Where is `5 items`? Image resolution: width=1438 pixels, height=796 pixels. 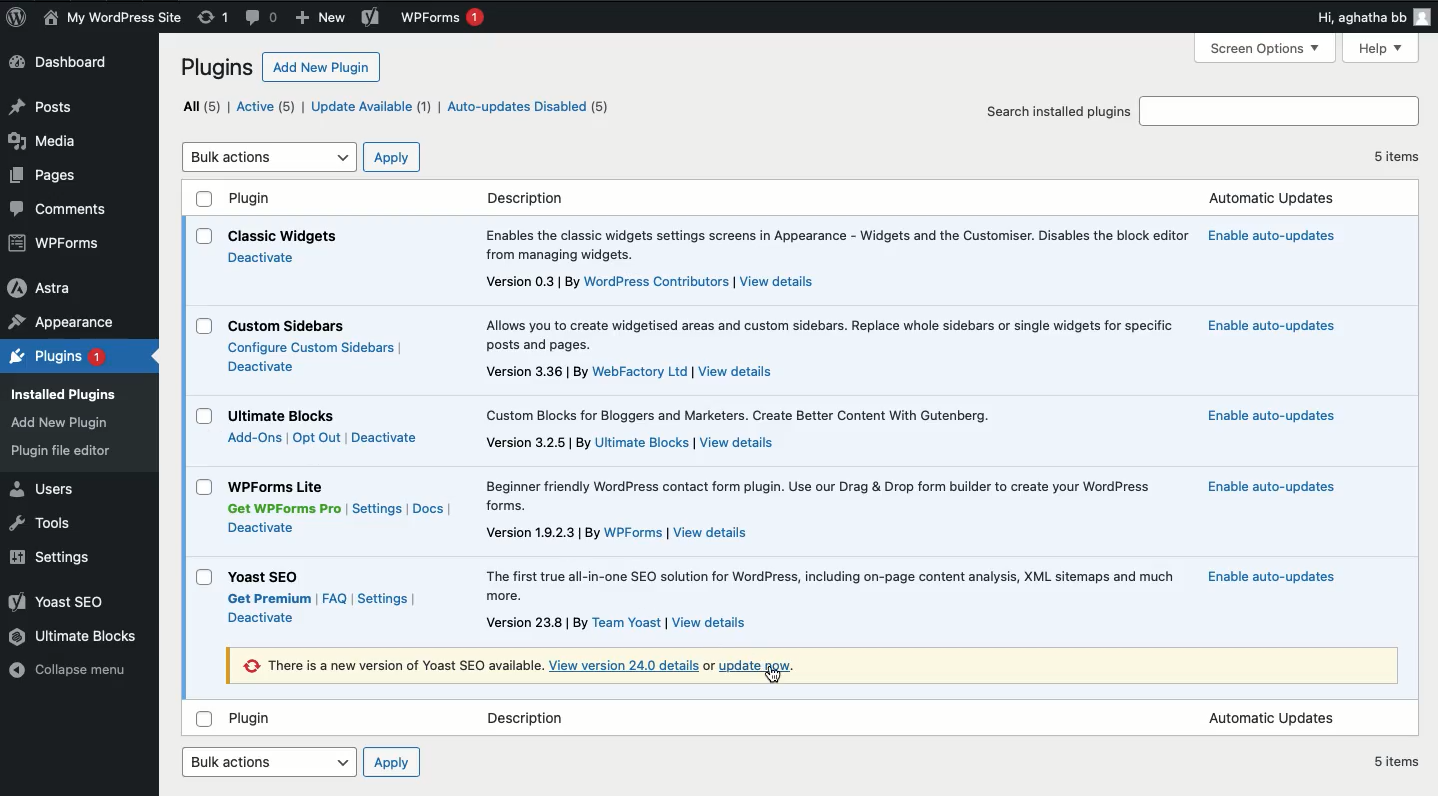 5 items is located at coordinates (1397, 761).